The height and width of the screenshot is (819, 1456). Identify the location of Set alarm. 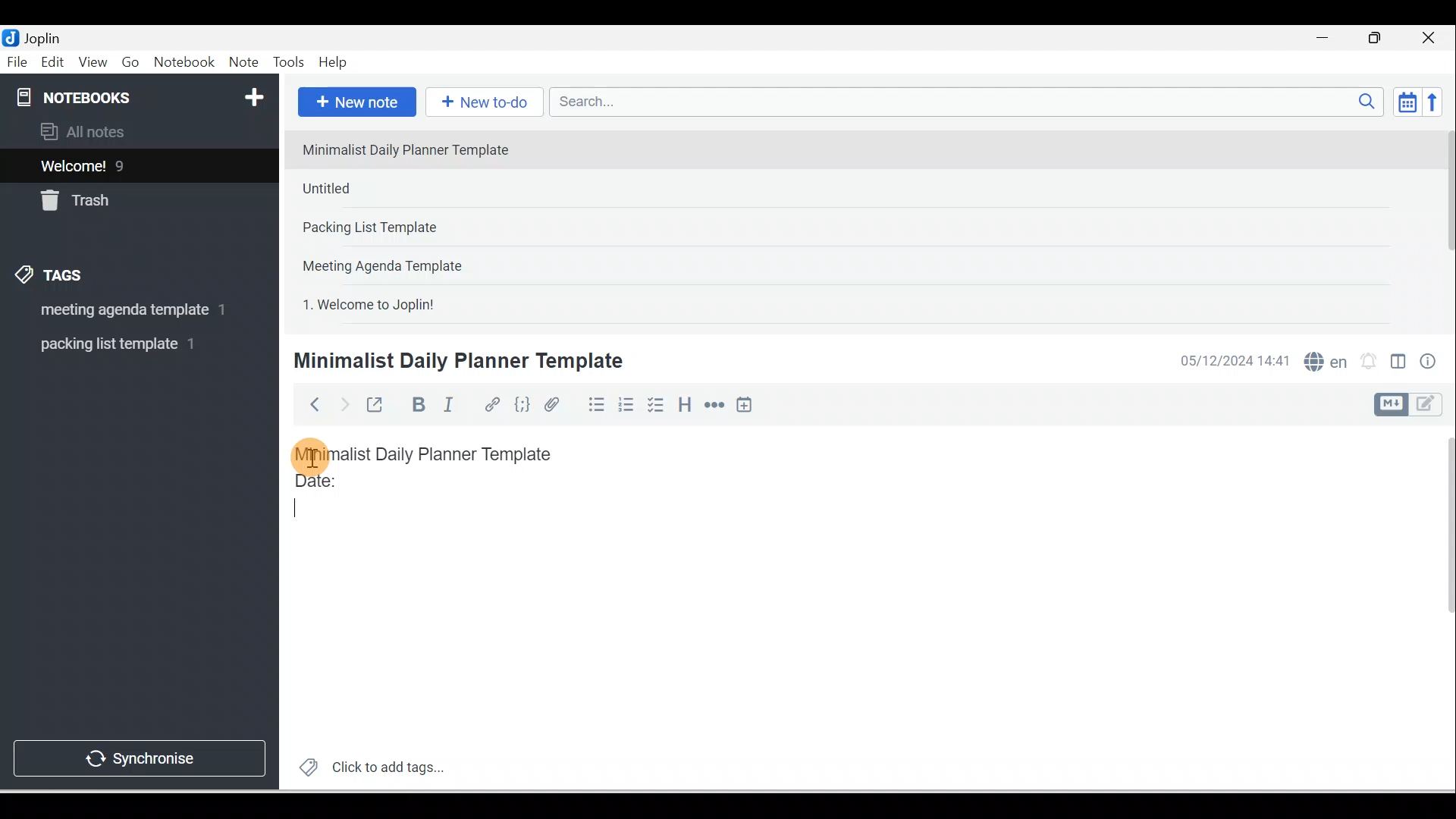
(1367, 362).